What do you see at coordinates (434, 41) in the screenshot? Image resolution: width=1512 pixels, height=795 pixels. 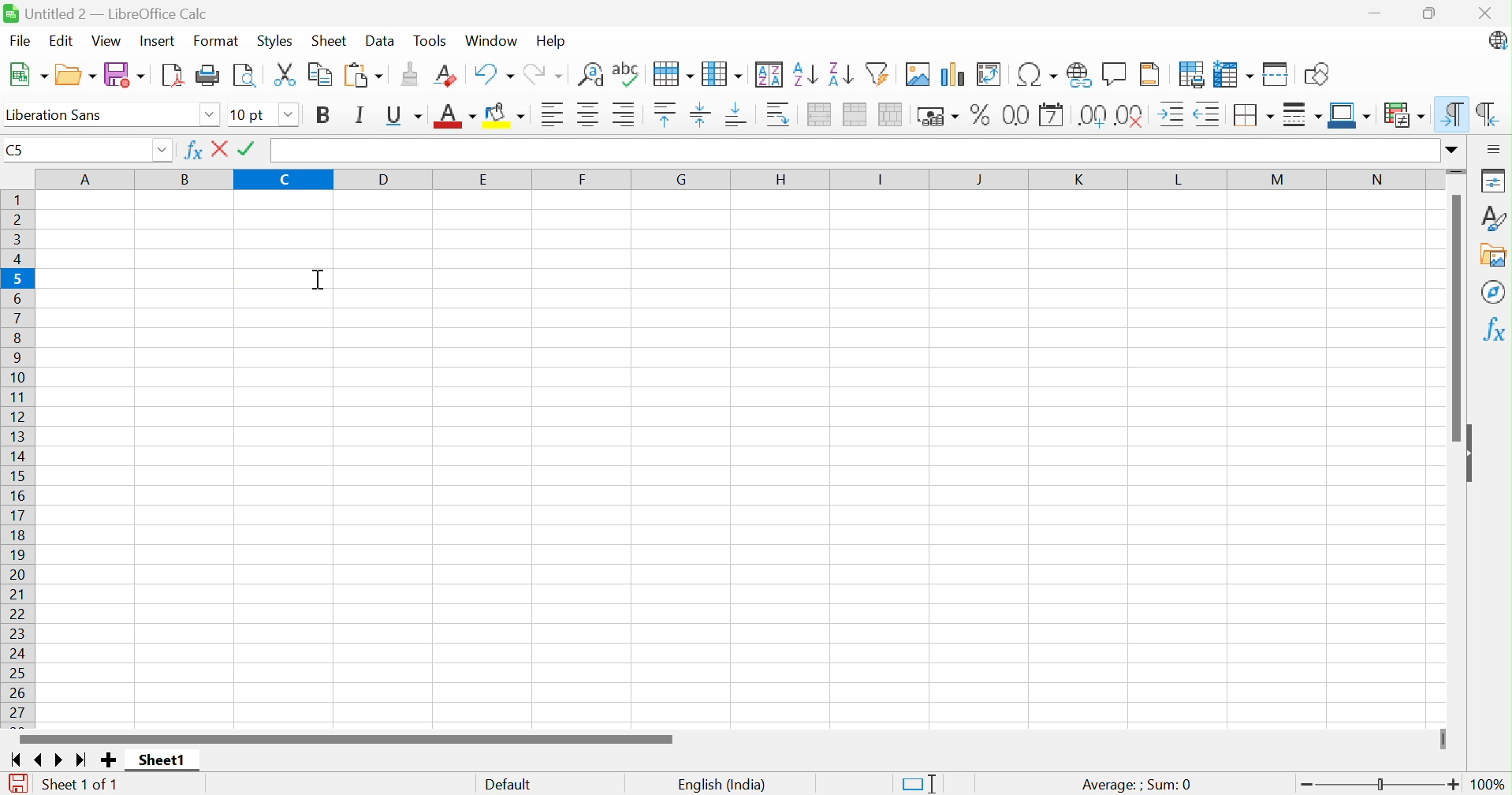 I see `Tools` at bounding box center [434, 41].